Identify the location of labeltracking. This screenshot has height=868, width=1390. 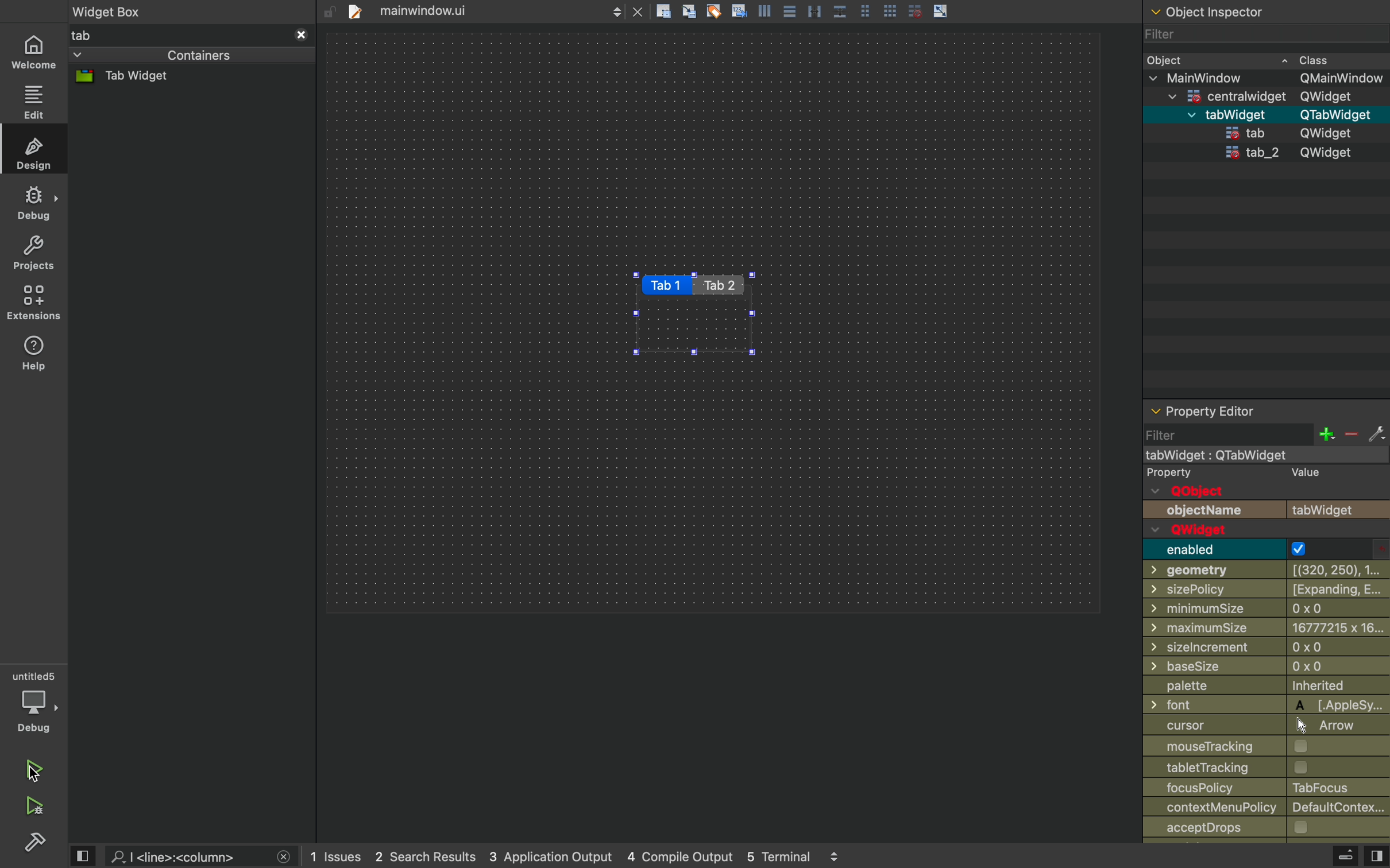
(1268, 769).